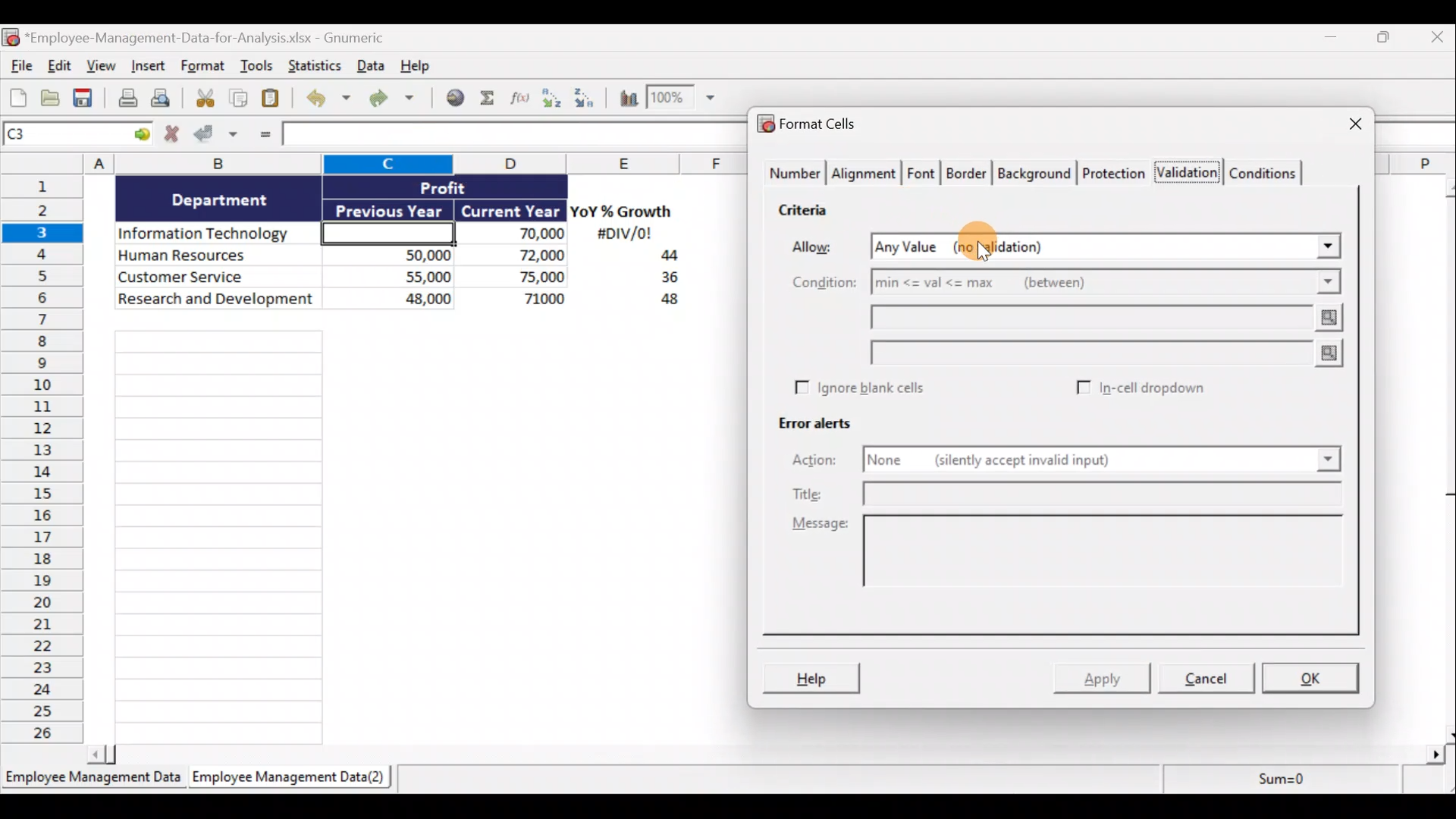  I want to click on *Employee-Management-Data-for-Analysis.xlsx - Gnumeric, so click(222, 36).